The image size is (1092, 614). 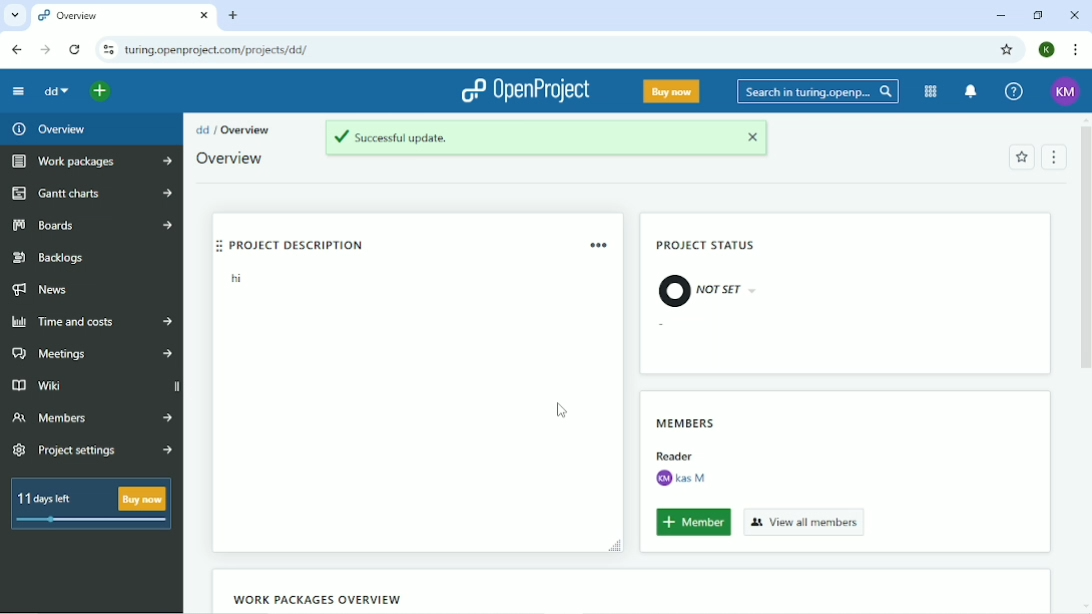 What do you see at coordinates (518, 137) in the screenshot?
I see `Successful update.` at bounding box center [518, 137].